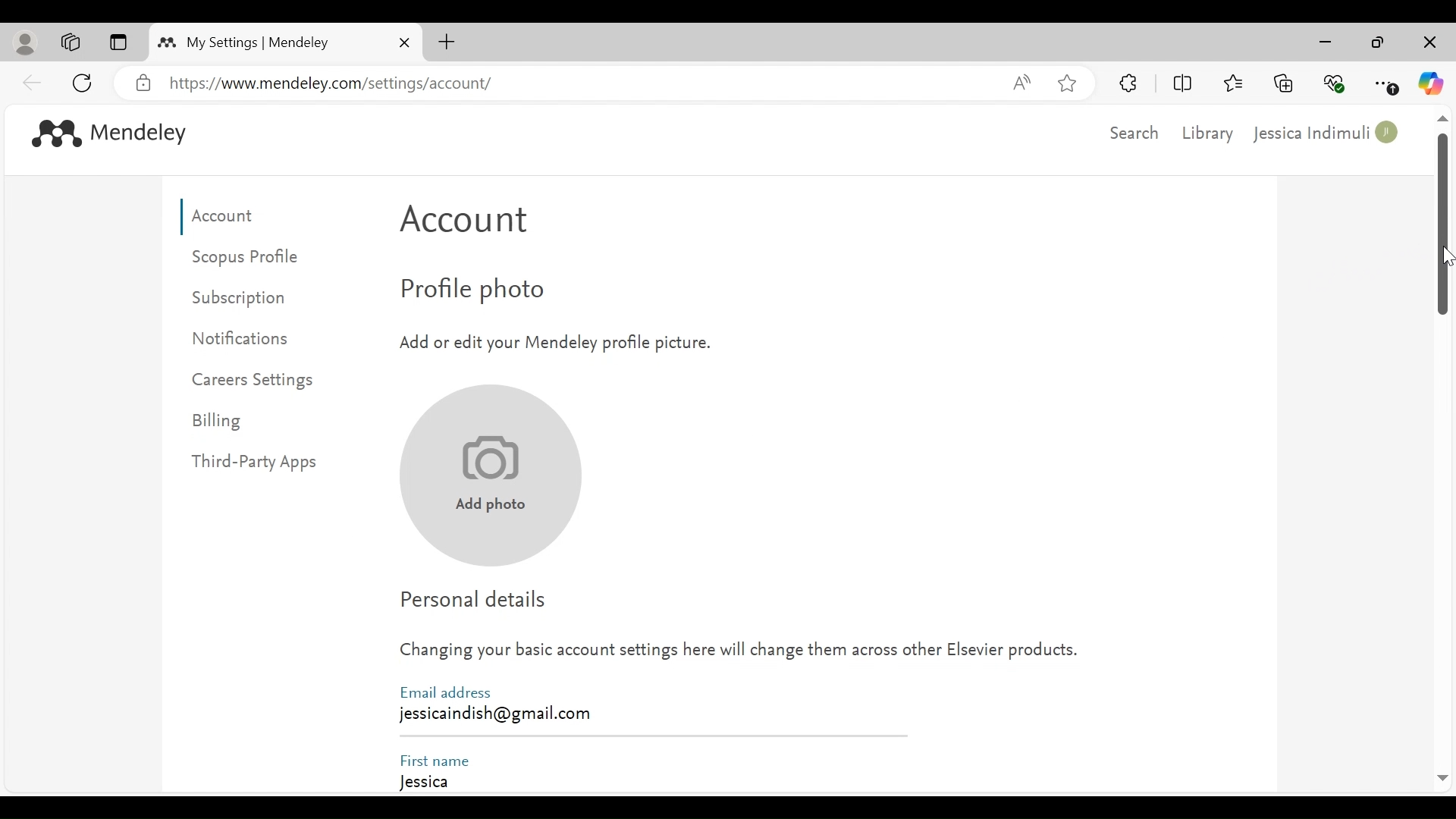 The width and height of the screenshot is (1456, 819). I want to click on Reload, so click(85, 81).